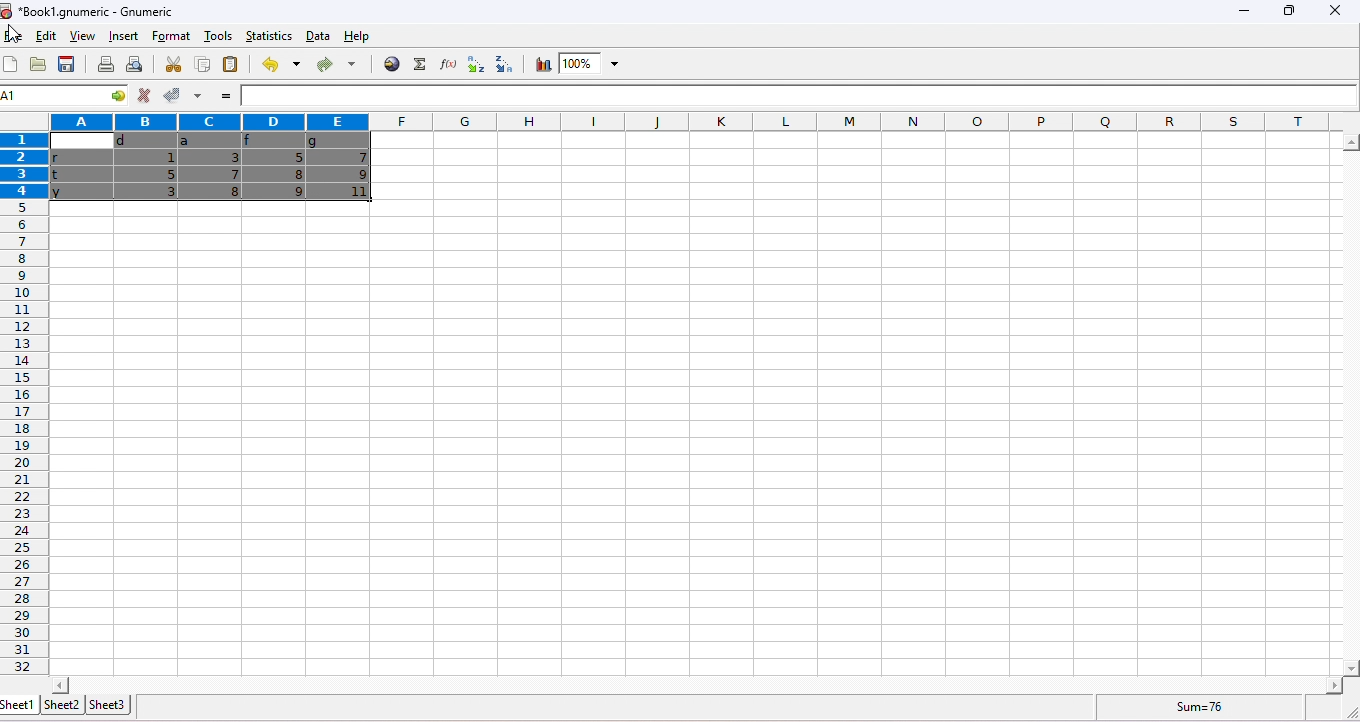  What do you see at coordinates (392, 63) in the screenshot?
I see `insert hyperlink` at bounding box center [392, 63].